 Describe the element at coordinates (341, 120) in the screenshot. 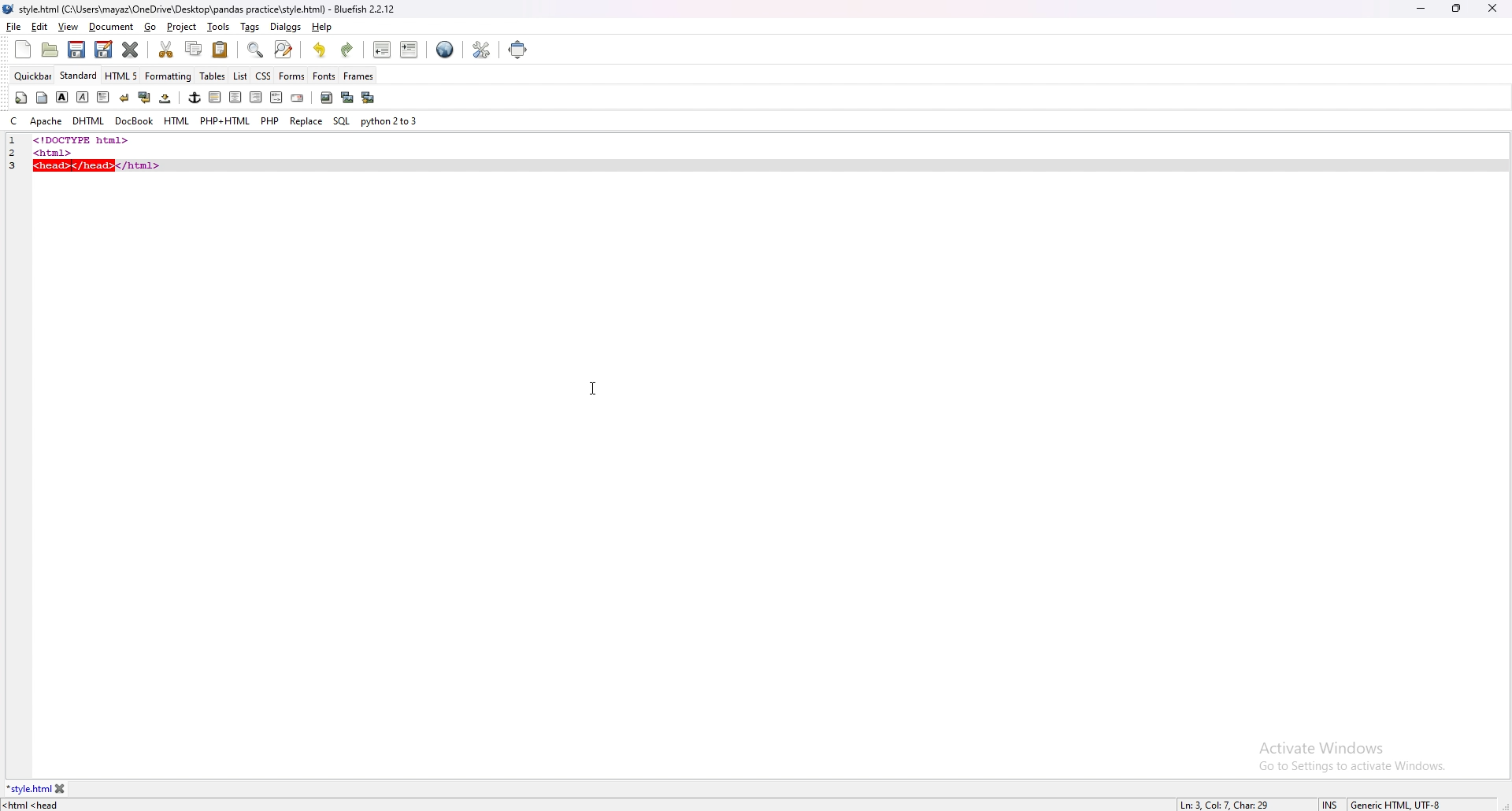

I see `sql` at that location.